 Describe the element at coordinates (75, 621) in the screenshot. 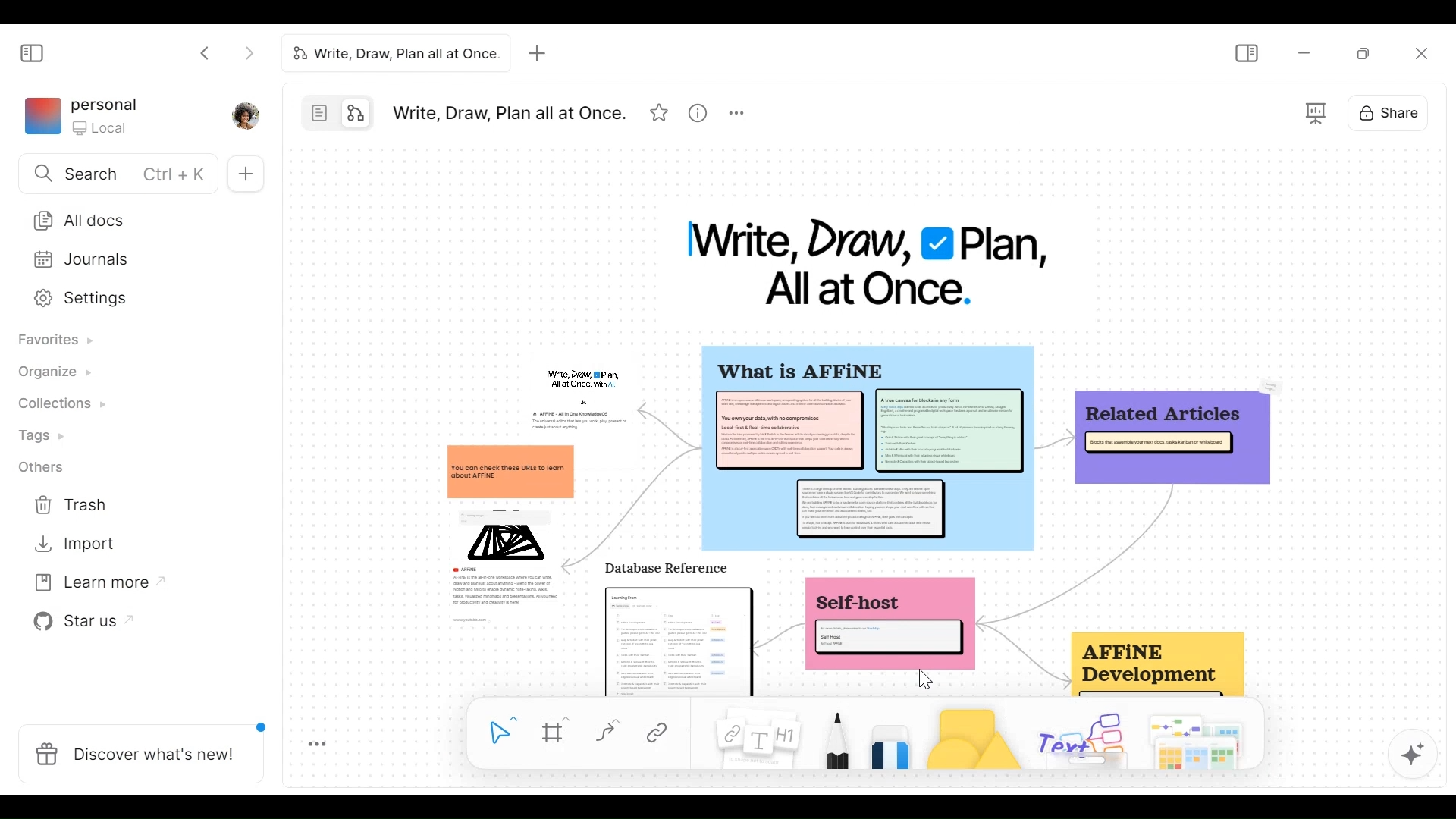

I see `Star us` at that location.